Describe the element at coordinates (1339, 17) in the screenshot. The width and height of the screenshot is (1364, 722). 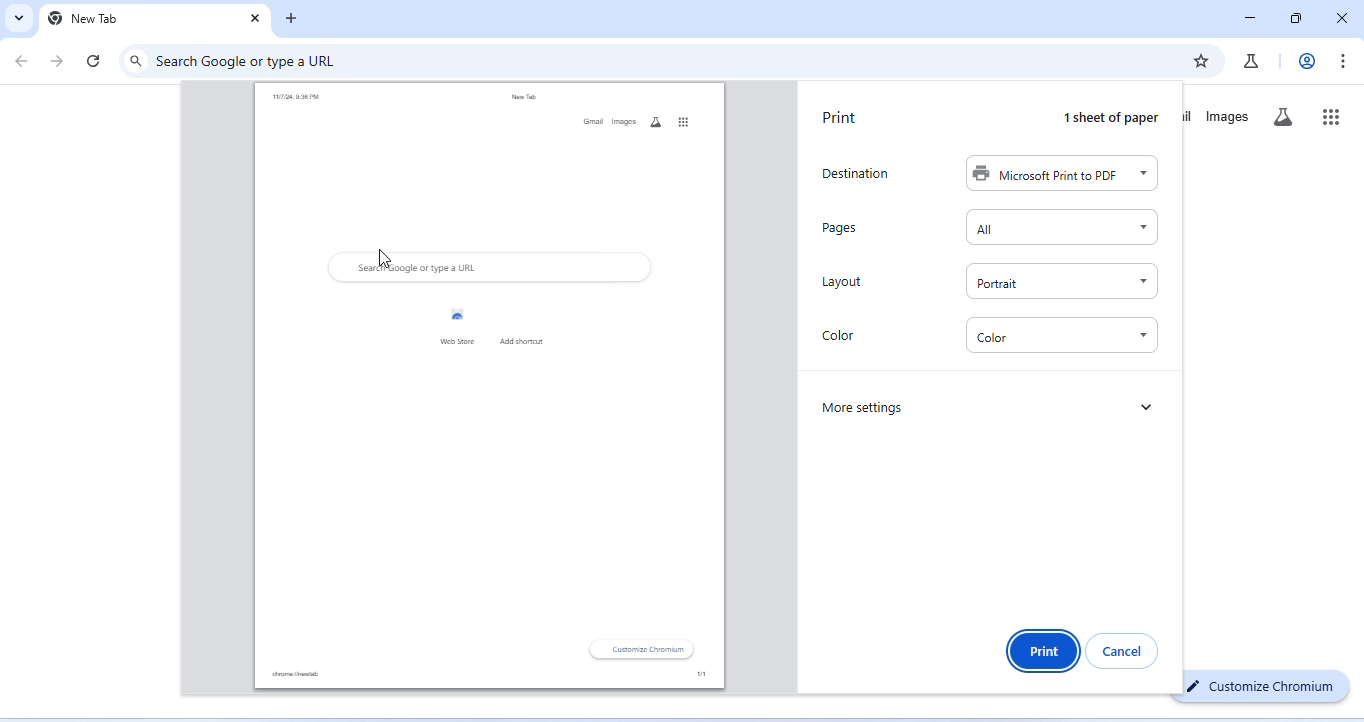
I see `close` at that location.